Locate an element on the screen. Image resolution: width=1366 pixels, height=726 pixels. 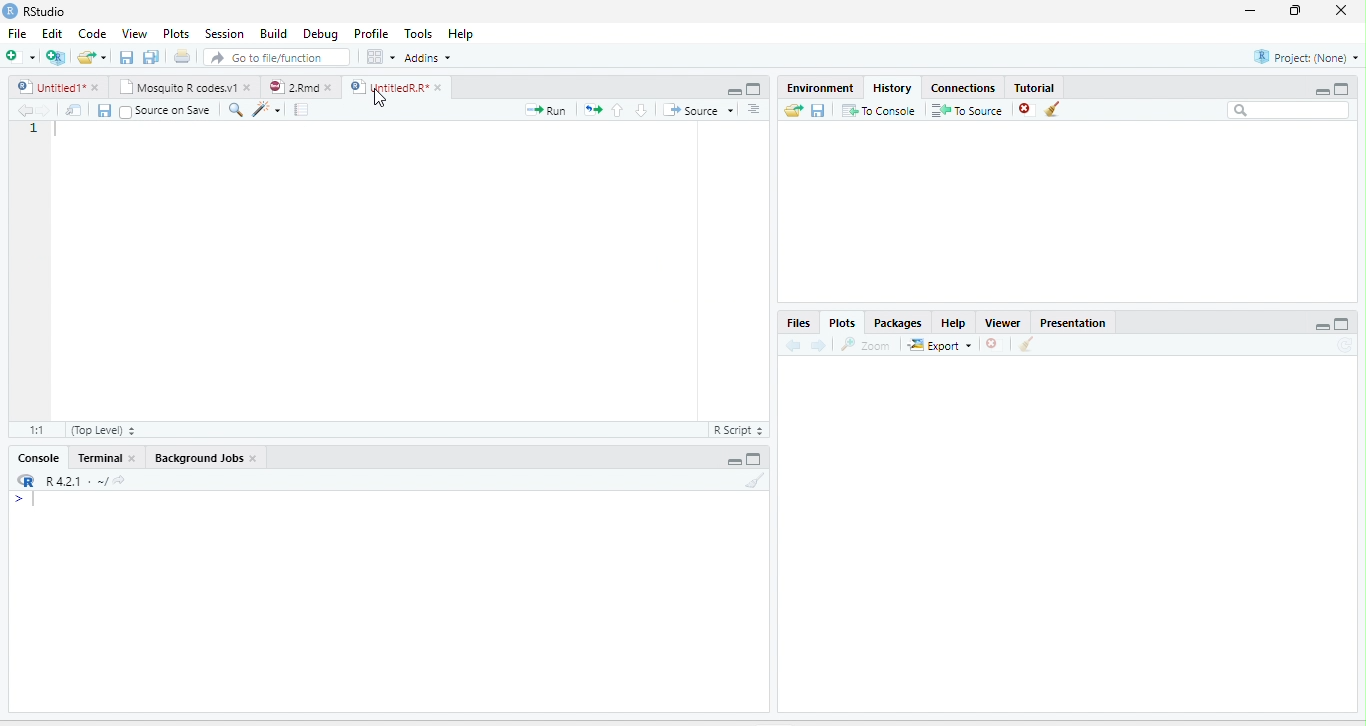
Re-run the previous code region is located at coordinates (592, 110).